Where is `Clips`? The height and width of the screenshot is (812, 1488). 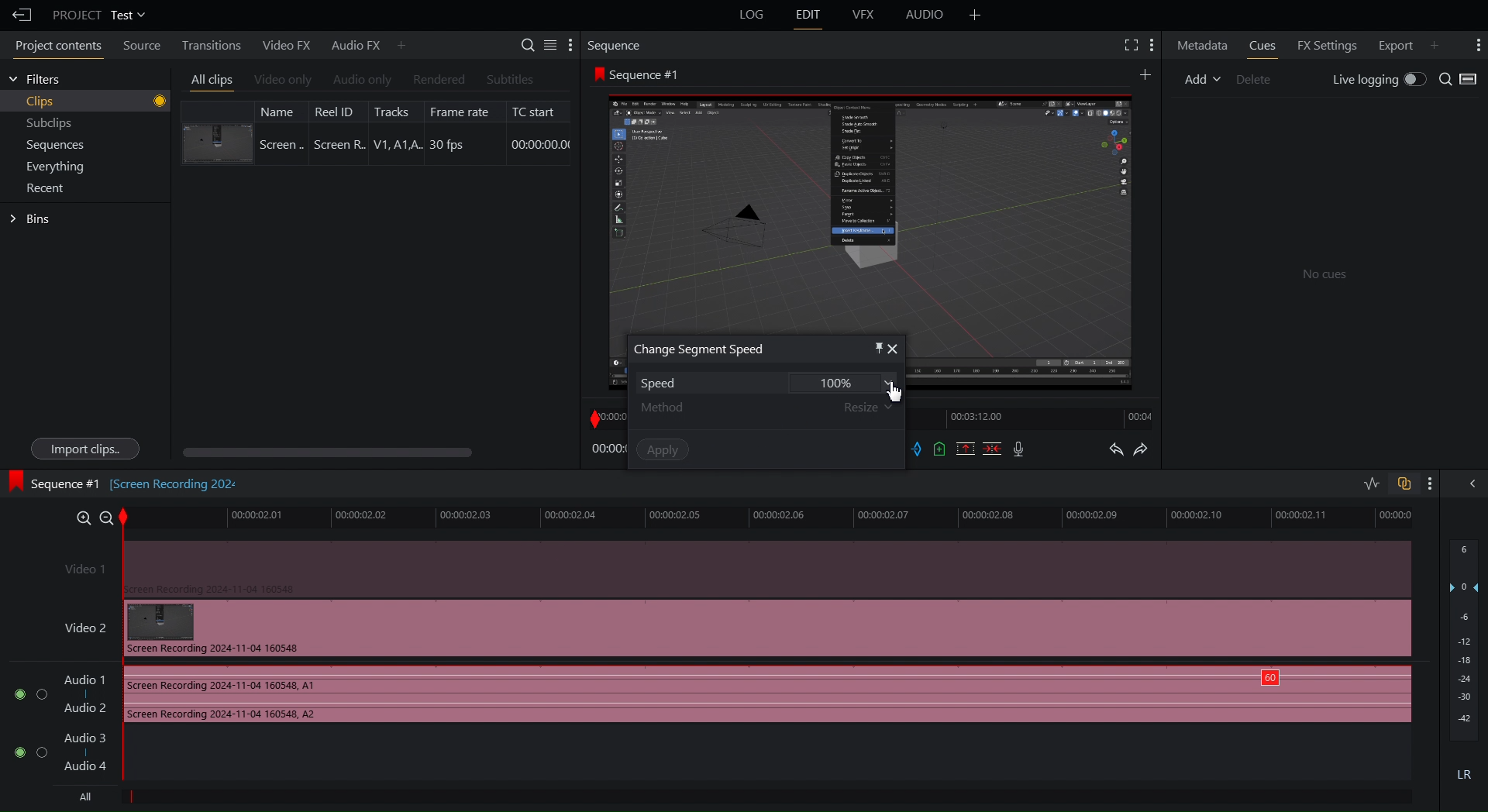 Clips is located at coordinates (96, 101).